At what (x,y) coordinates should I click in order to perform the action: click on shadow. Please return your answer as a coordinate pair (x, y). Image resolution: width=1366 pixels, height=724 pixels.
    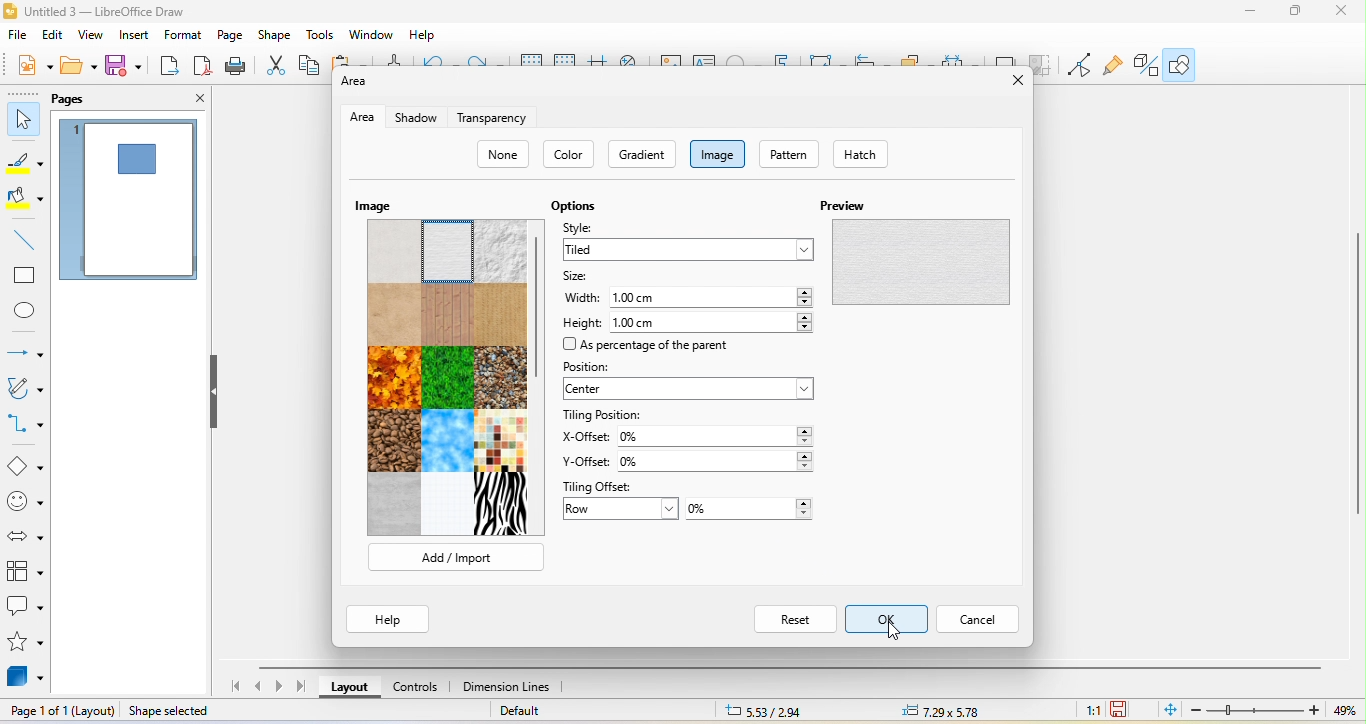
    Looking at the image, I should click on (1004, 59).